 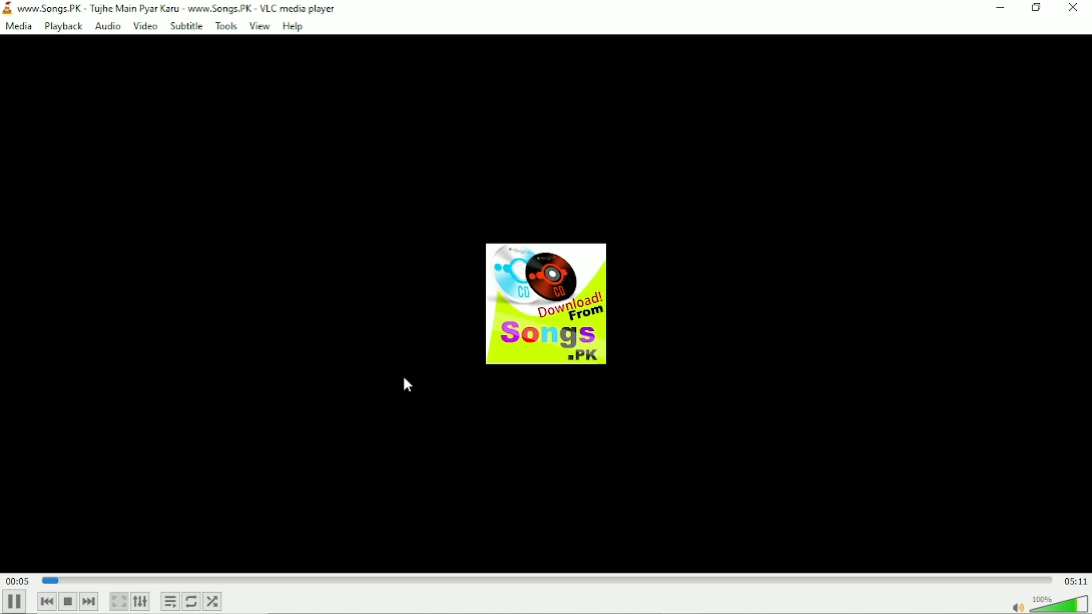 I want to click on Subtitle, so click(x=188, y=26).